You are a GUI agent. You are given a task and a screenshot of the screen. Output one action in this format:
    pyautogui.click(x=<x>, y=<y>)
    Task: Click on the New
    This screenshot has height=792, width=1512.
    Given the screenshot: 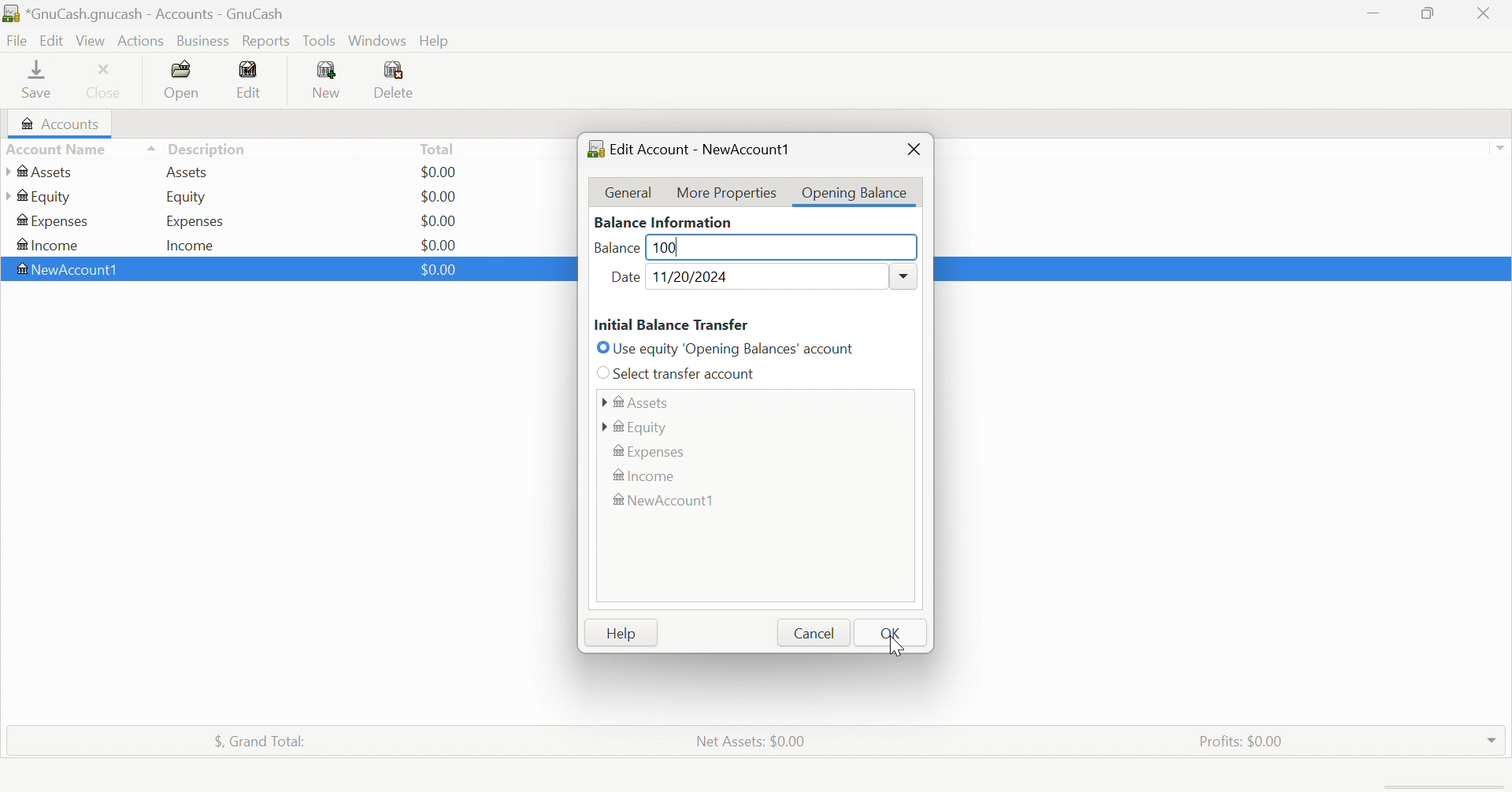 What is the action you would take?
    pyautogui.click(x=328, y=80)
    